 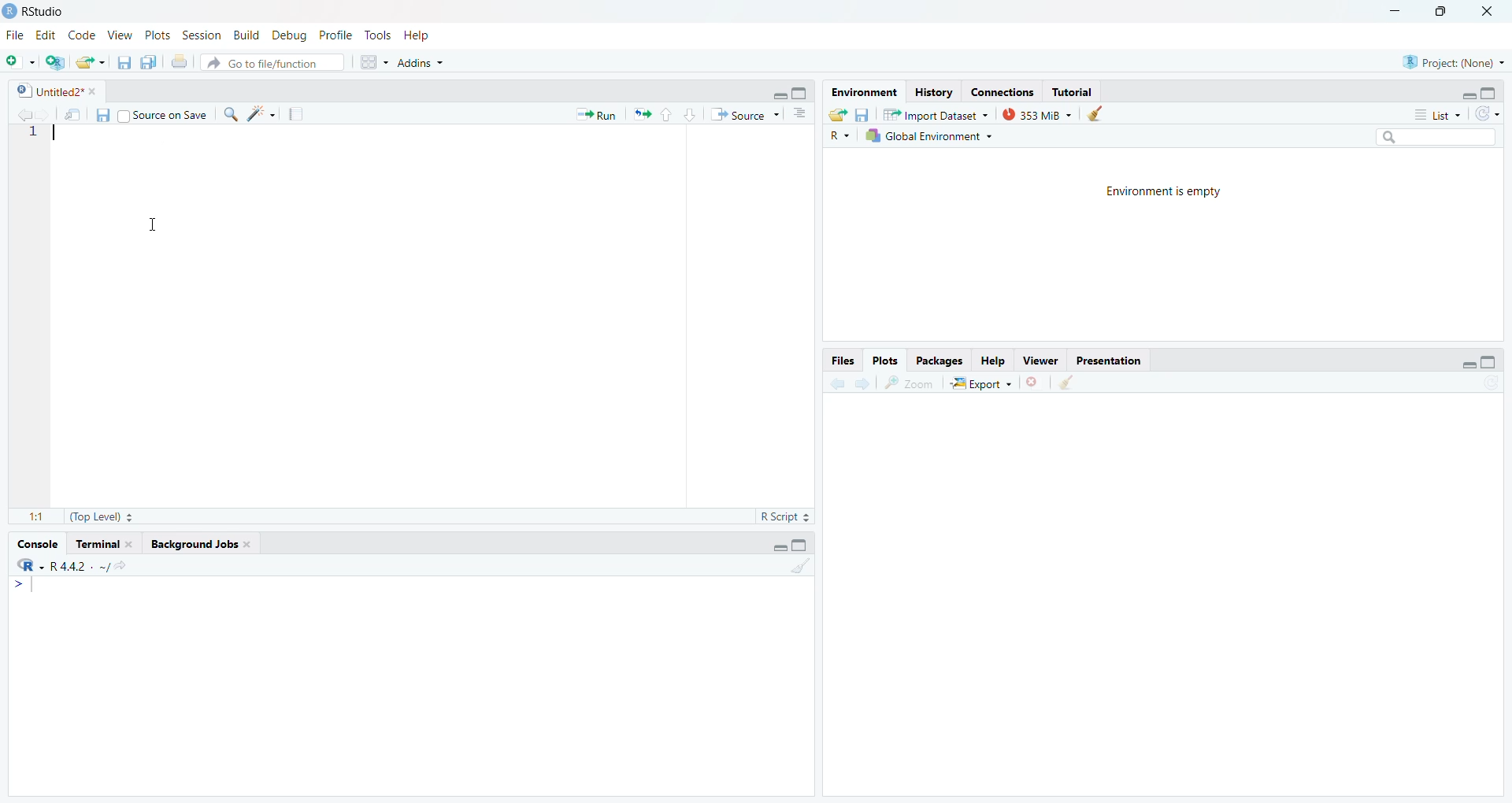 What do you see at coordinates (26, 591) in the screenshot?
I see `typing cursor` at bounding box center [26, 591].